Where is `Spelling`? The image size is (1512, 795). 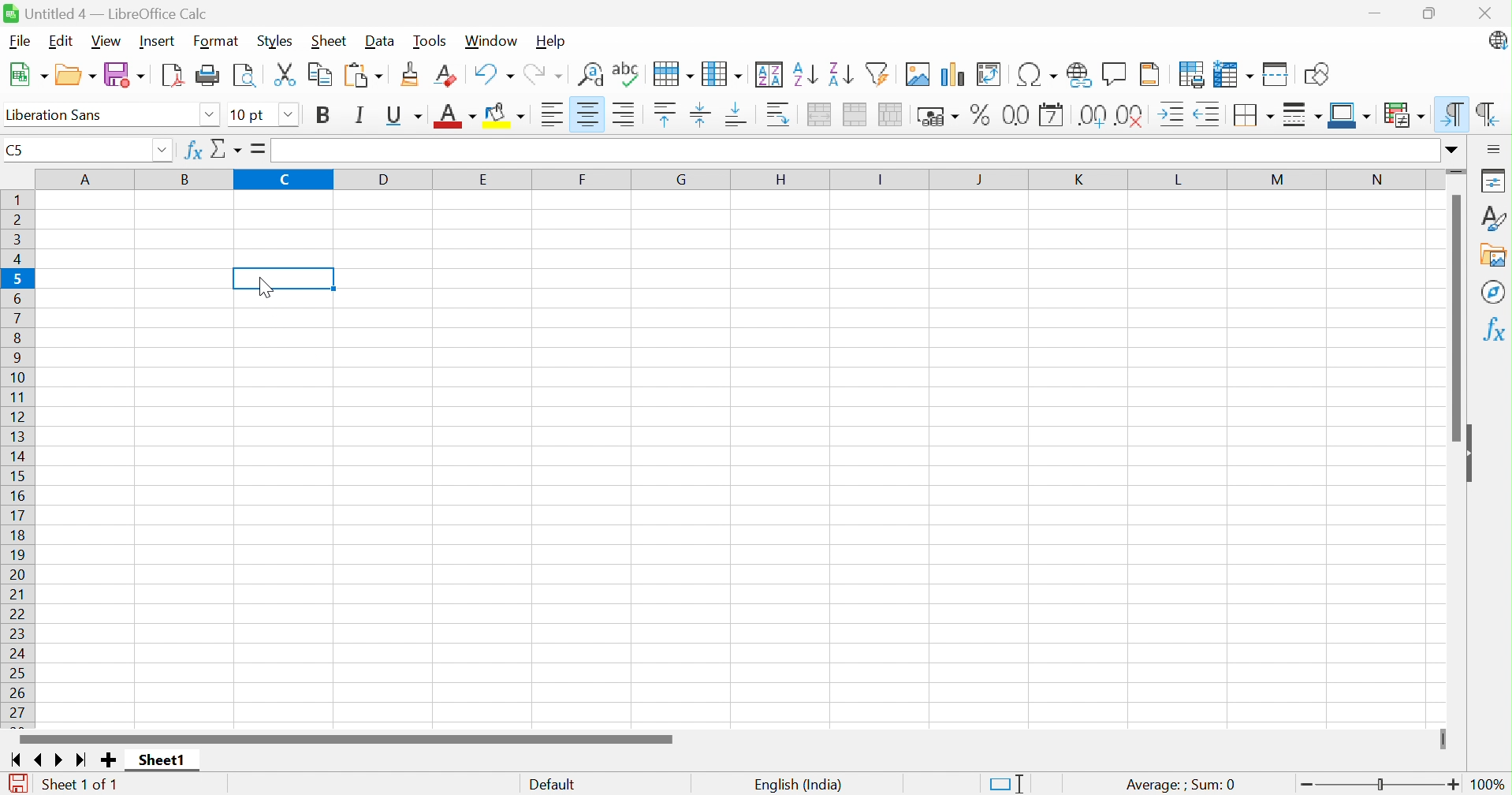
Spelling is located at coordinates (626, 74).